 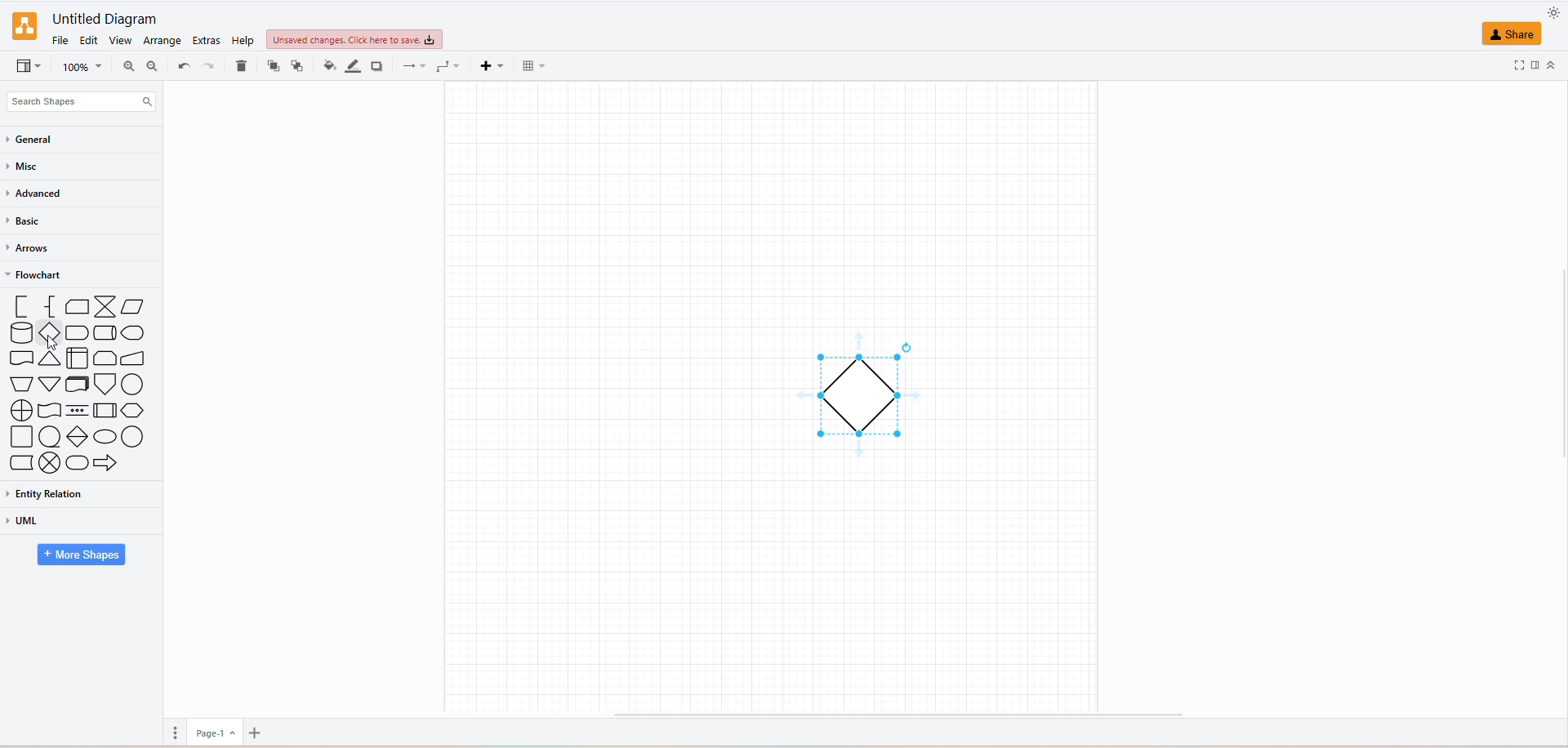 What do you see at coordinates (78, 99) in the screenshot?
I see `SEARCH` at bounding box center [78, 99].